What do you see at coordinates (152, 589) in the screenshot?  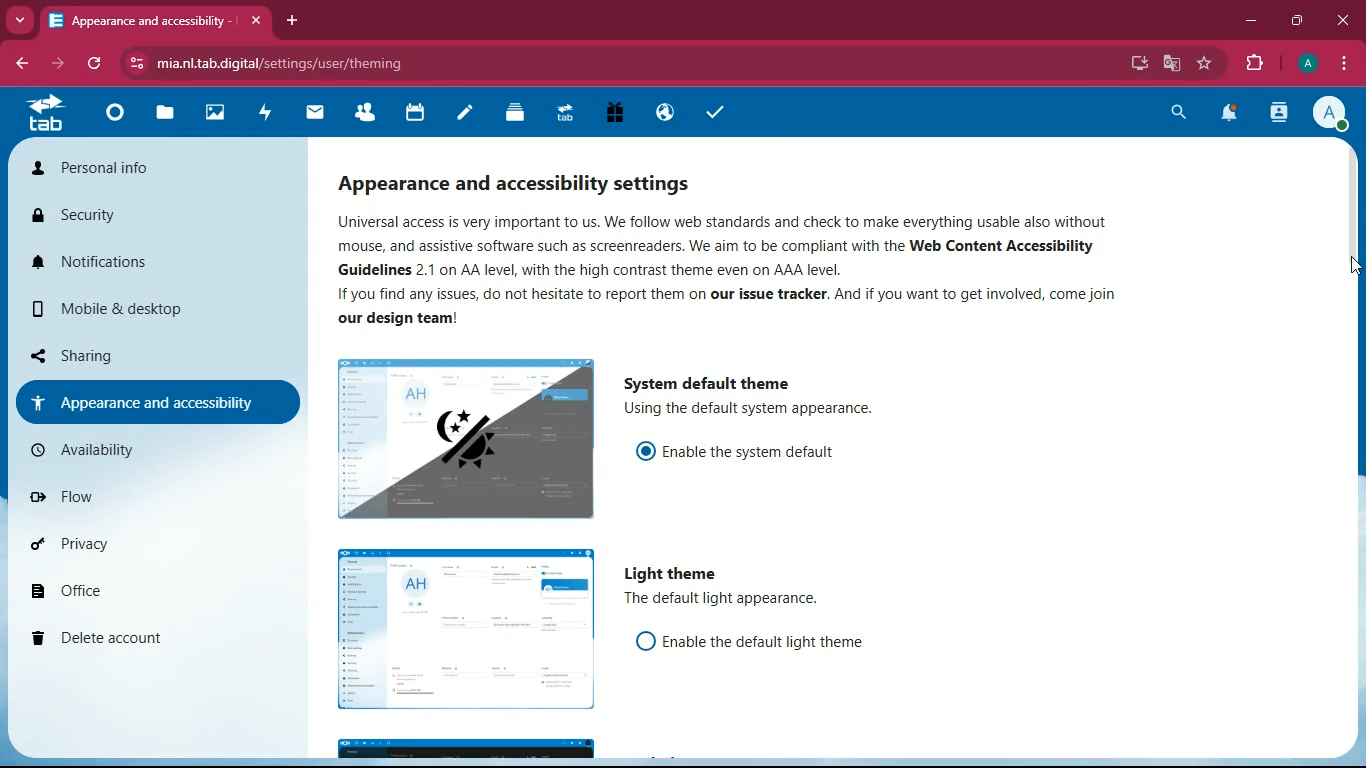 I see `office` at bounding box center [152, 589].